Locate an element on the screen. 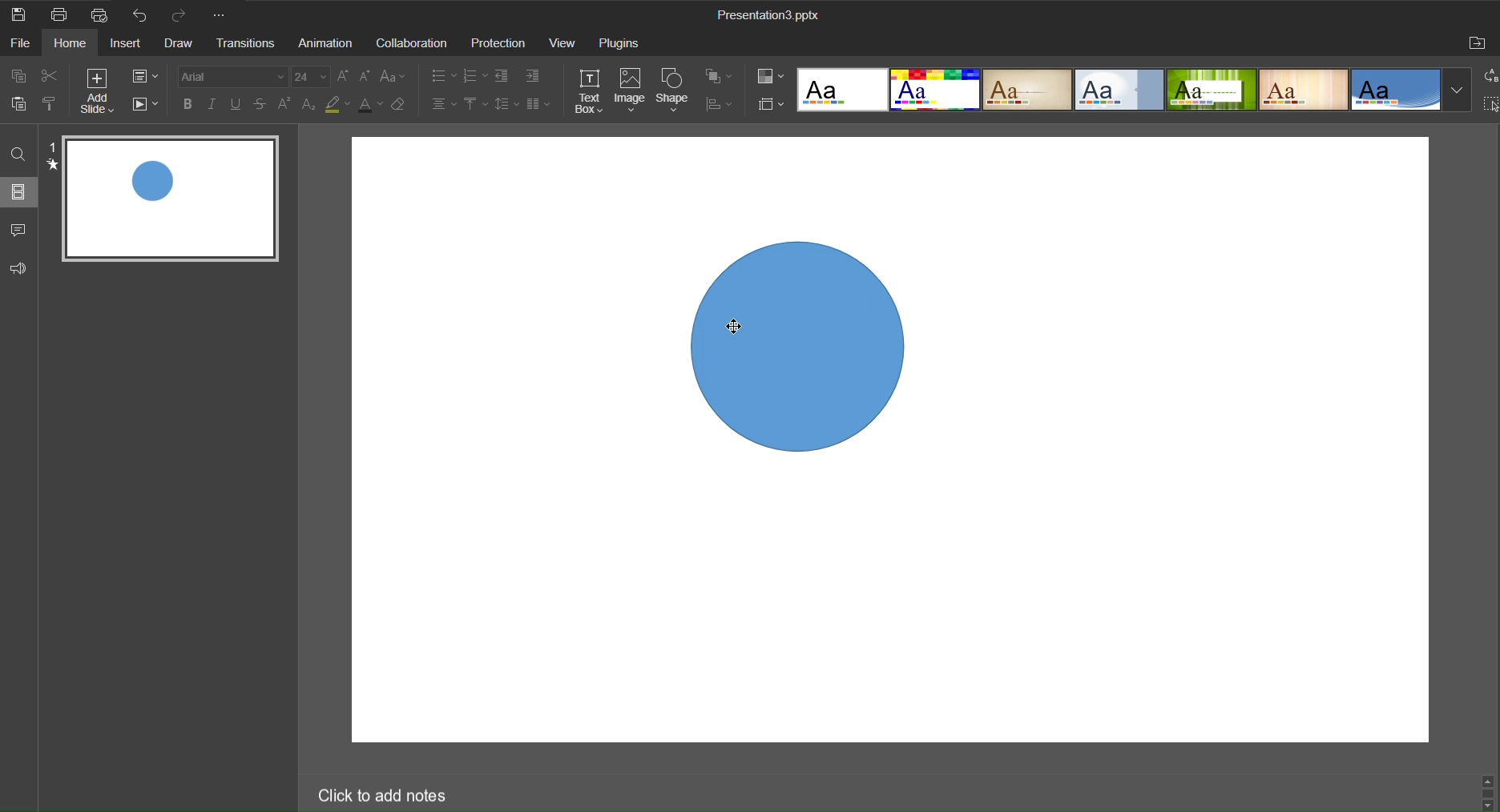  scroll is located at coordinates (1487, 791).